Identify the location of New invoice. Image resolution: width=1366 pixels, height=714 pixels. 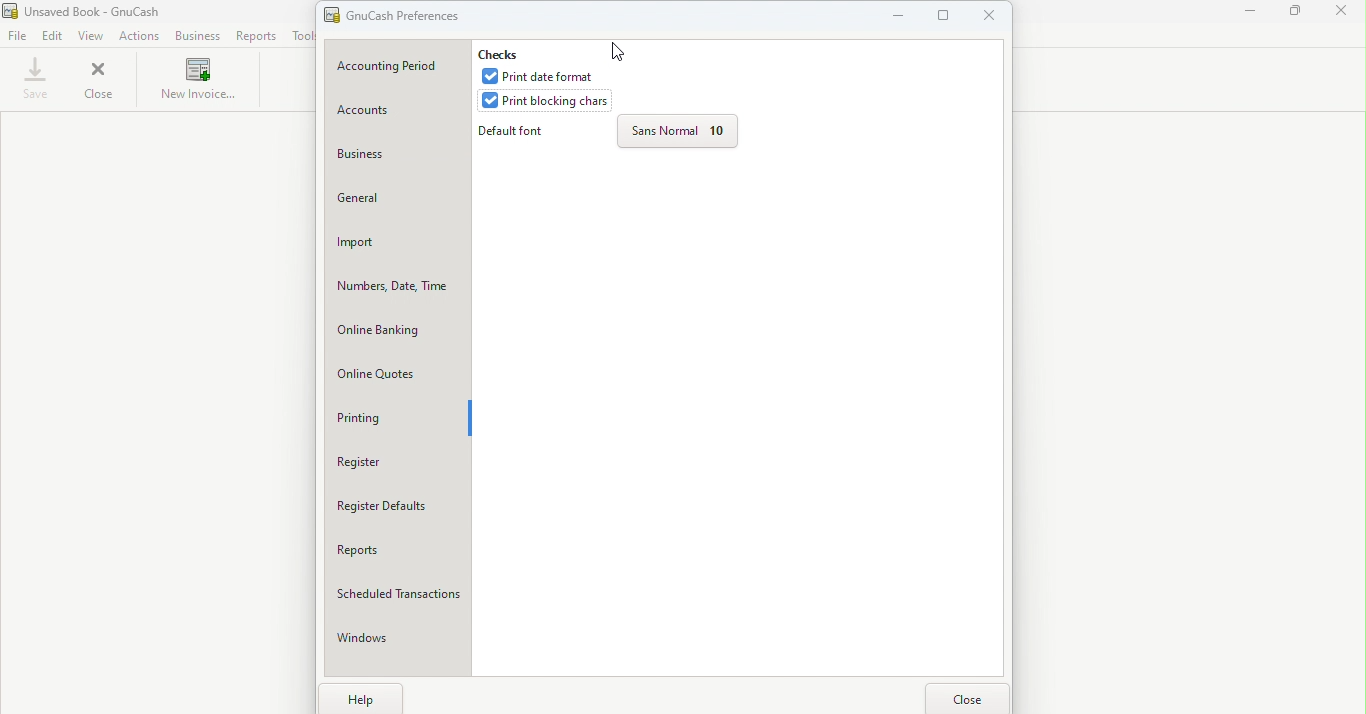
(198, 82).